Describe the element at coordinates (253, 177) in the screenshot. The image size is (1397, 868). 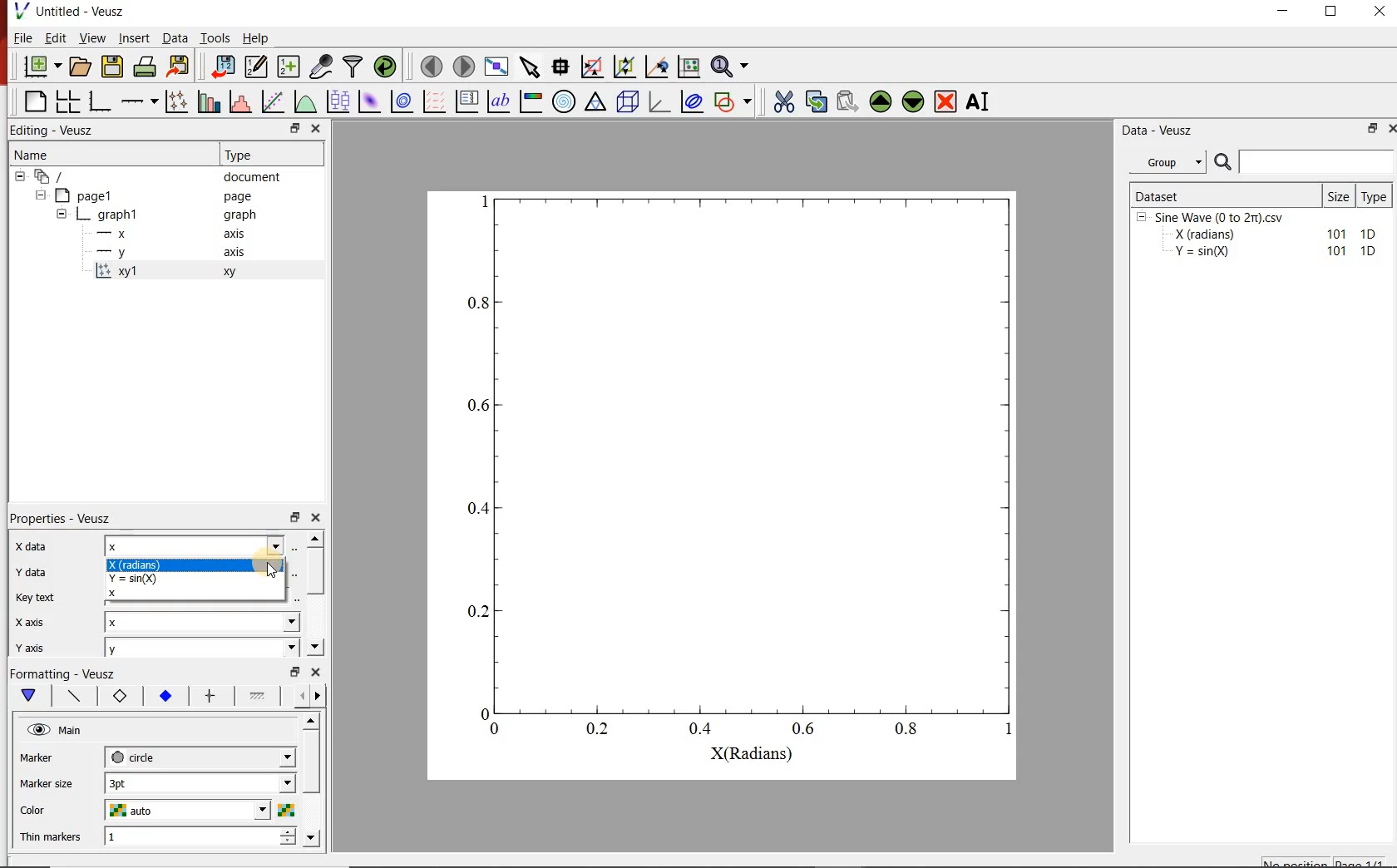
I see `document` at that location.